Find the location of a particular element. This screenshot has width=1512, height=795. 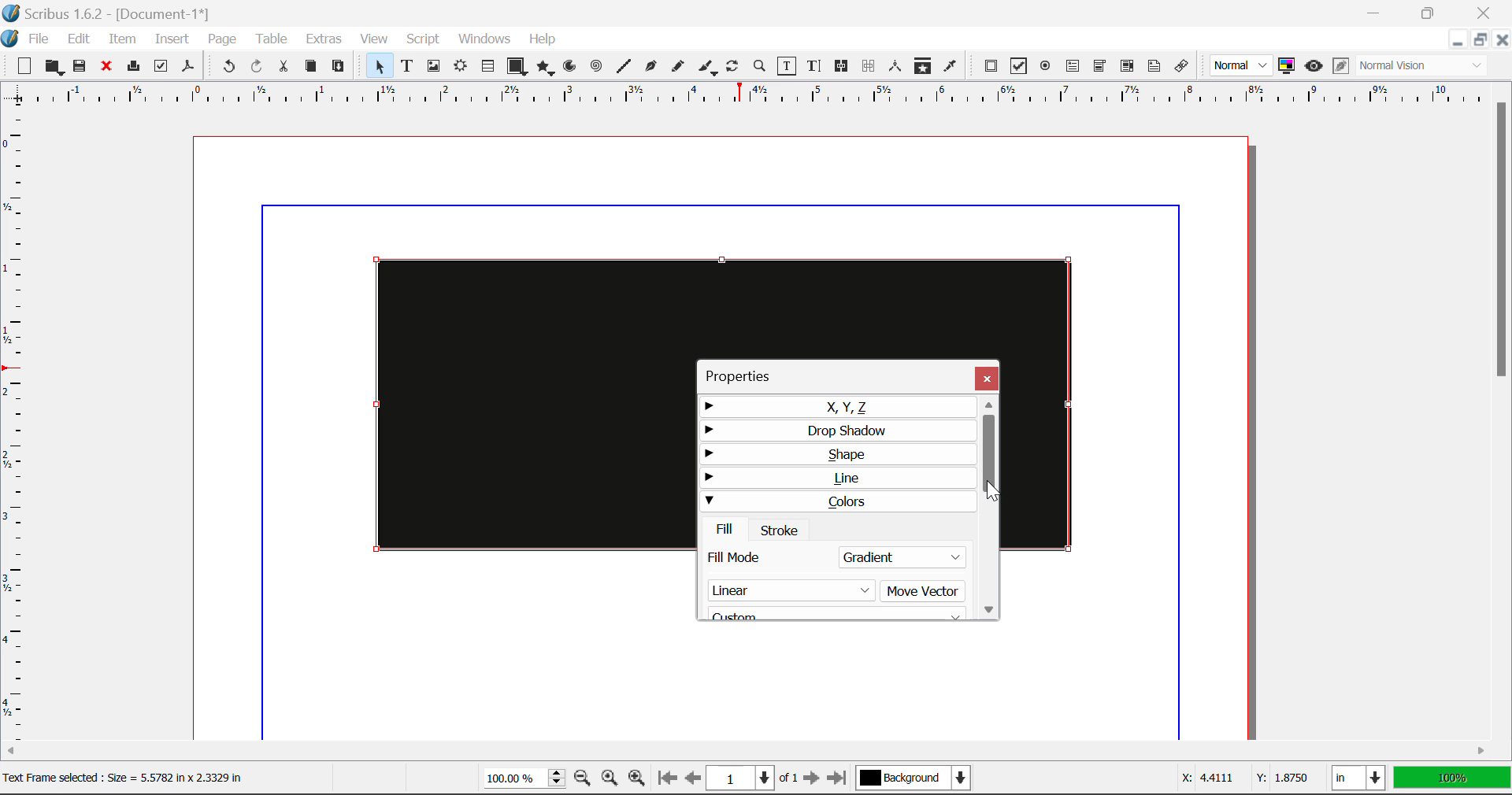

Copy is located at coordinates (312, 66).